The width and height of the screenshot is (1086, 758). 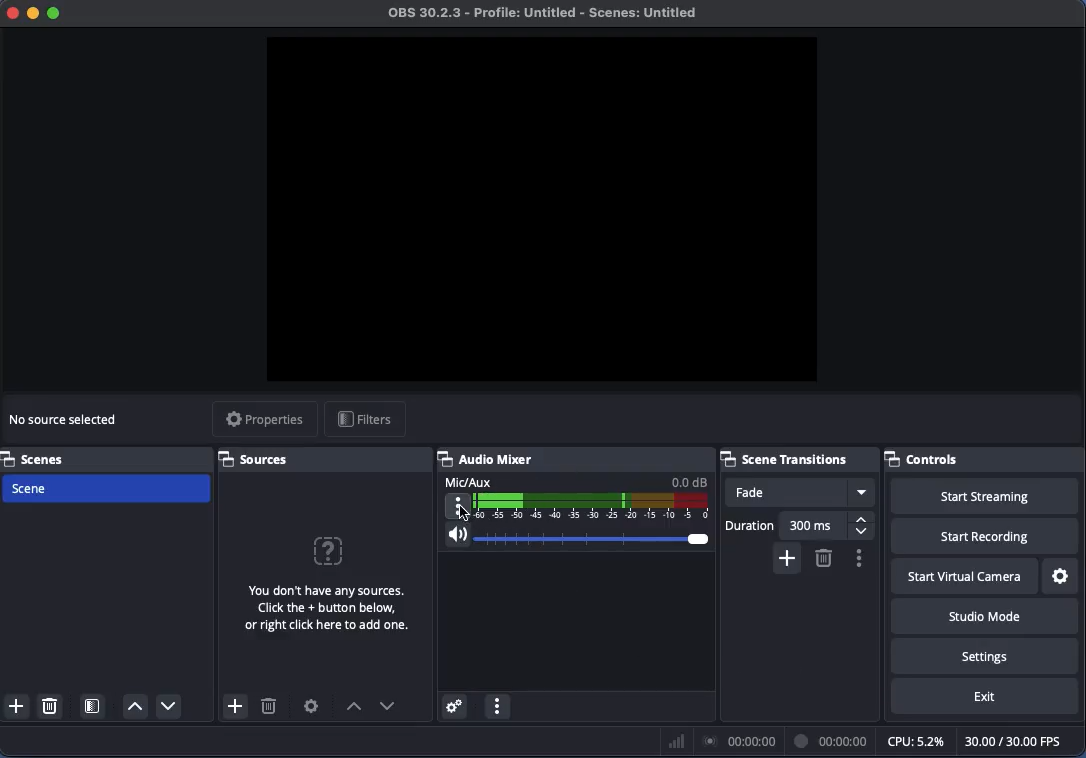 I want to click on Filters, so click(x=365, y=421).